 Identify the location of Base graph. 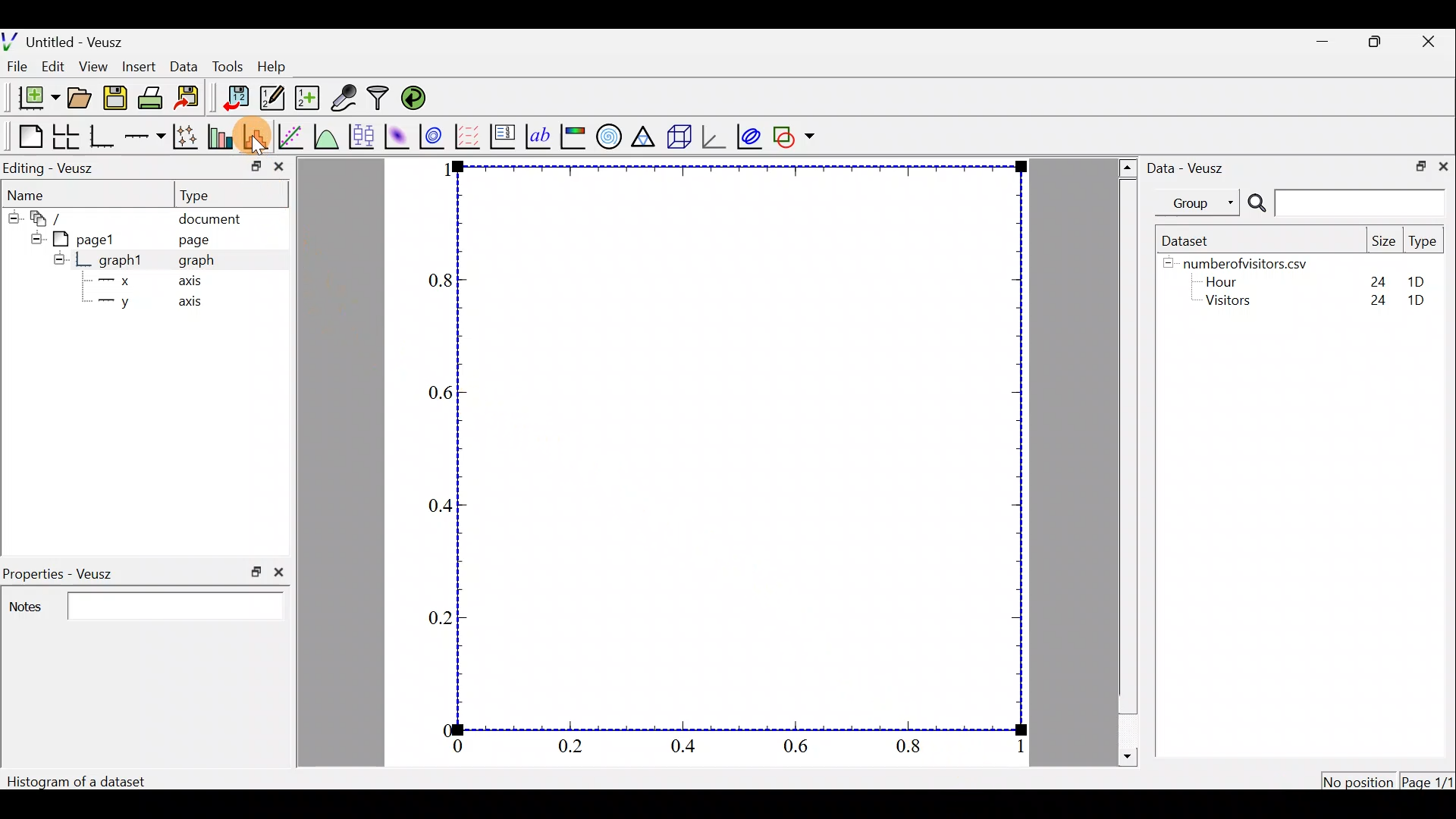
(103, 137).